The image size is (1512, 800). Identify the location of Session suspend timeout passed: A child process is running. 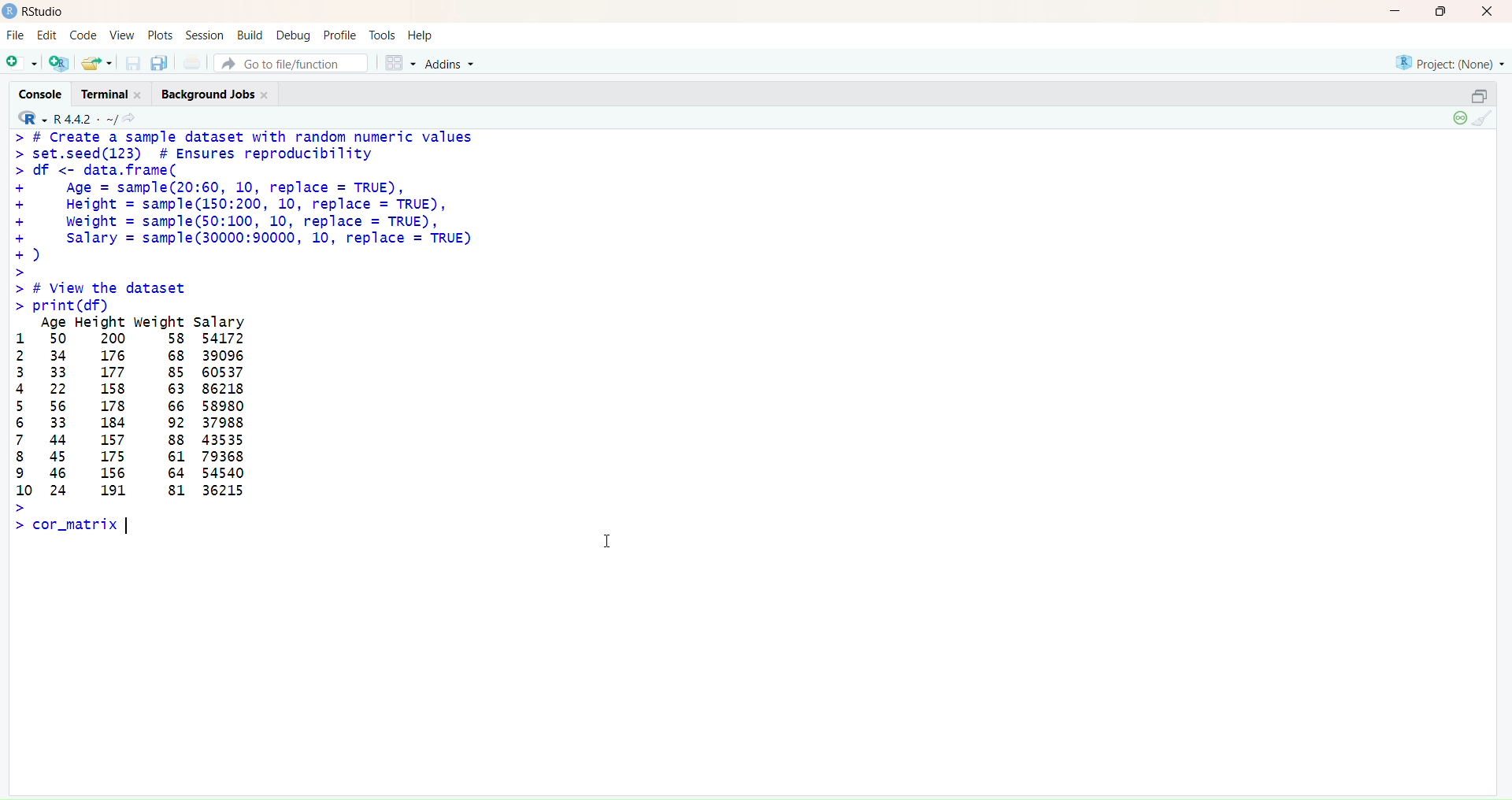
(1458, 119).